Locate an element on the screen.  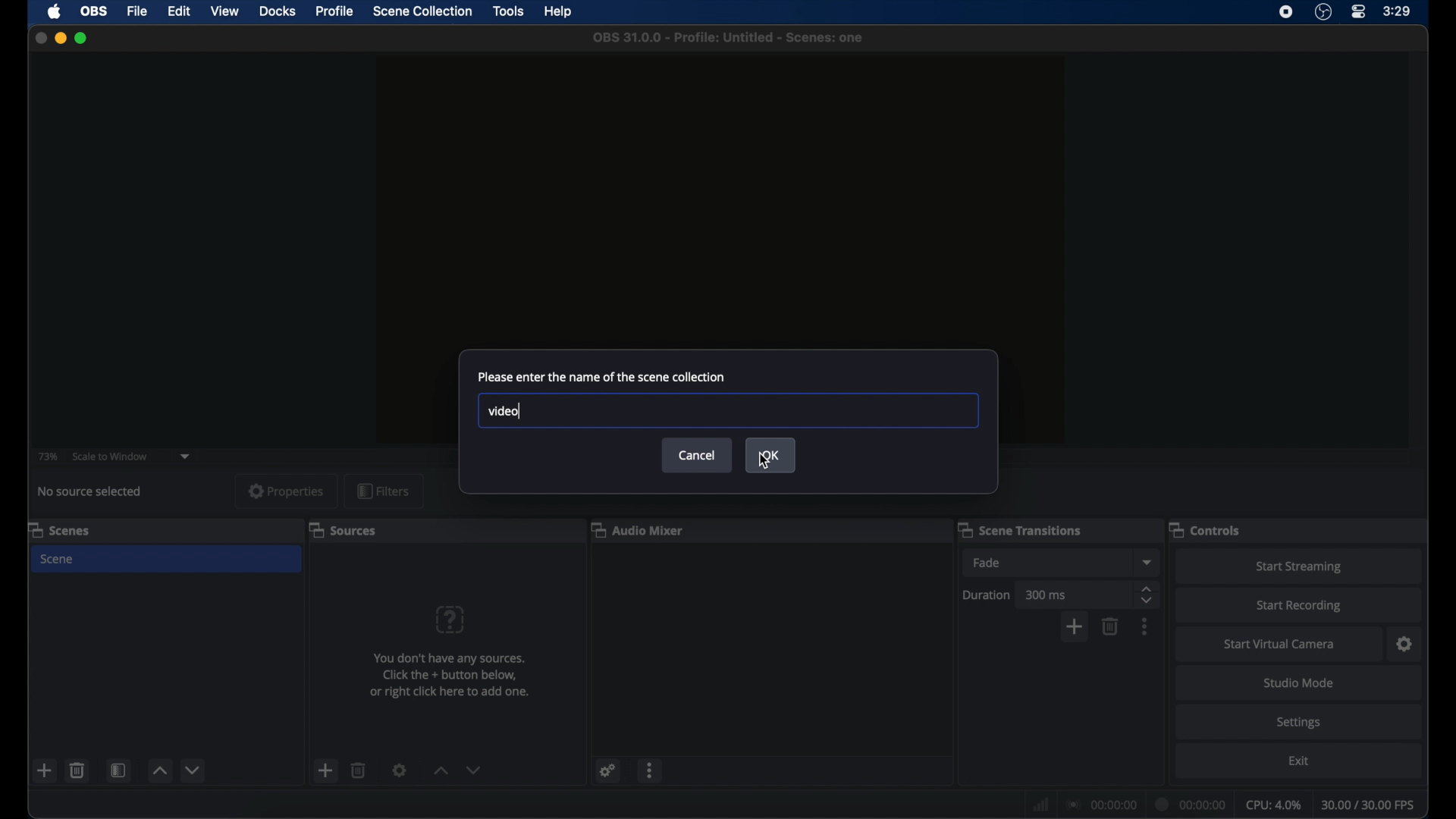
info is located at coordinates (450, 675).